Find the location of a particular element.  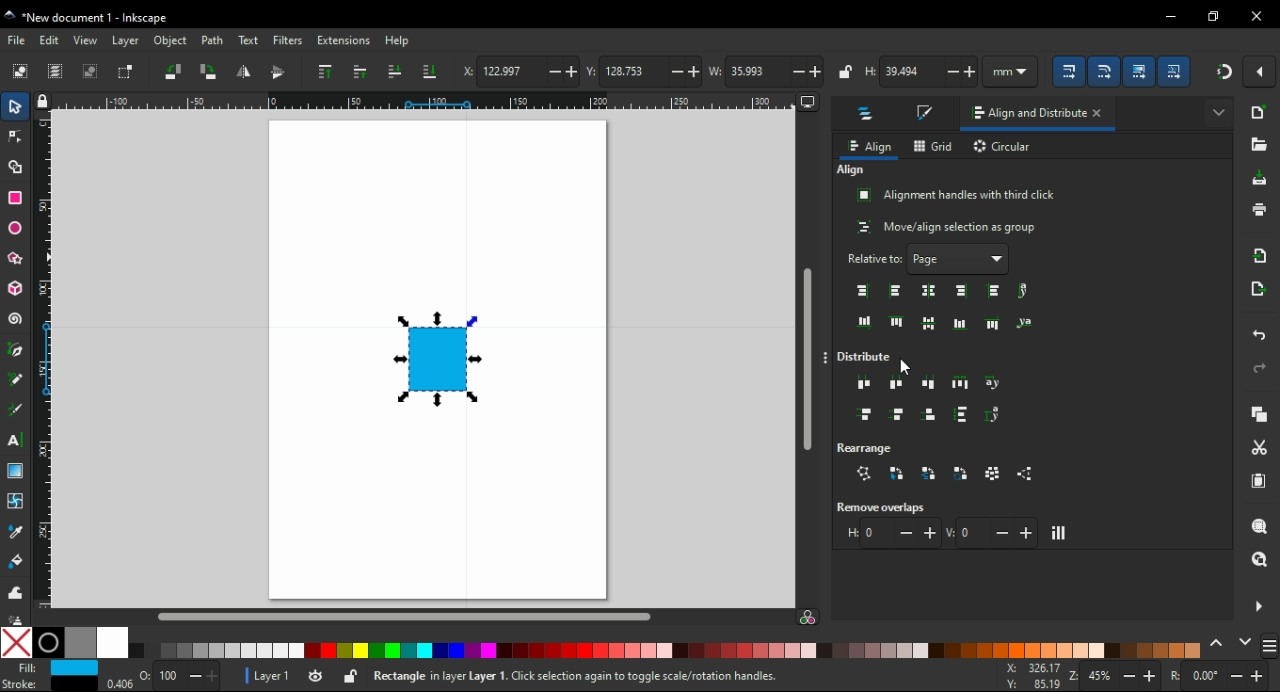

opacity is located at coordinates (163, 679).